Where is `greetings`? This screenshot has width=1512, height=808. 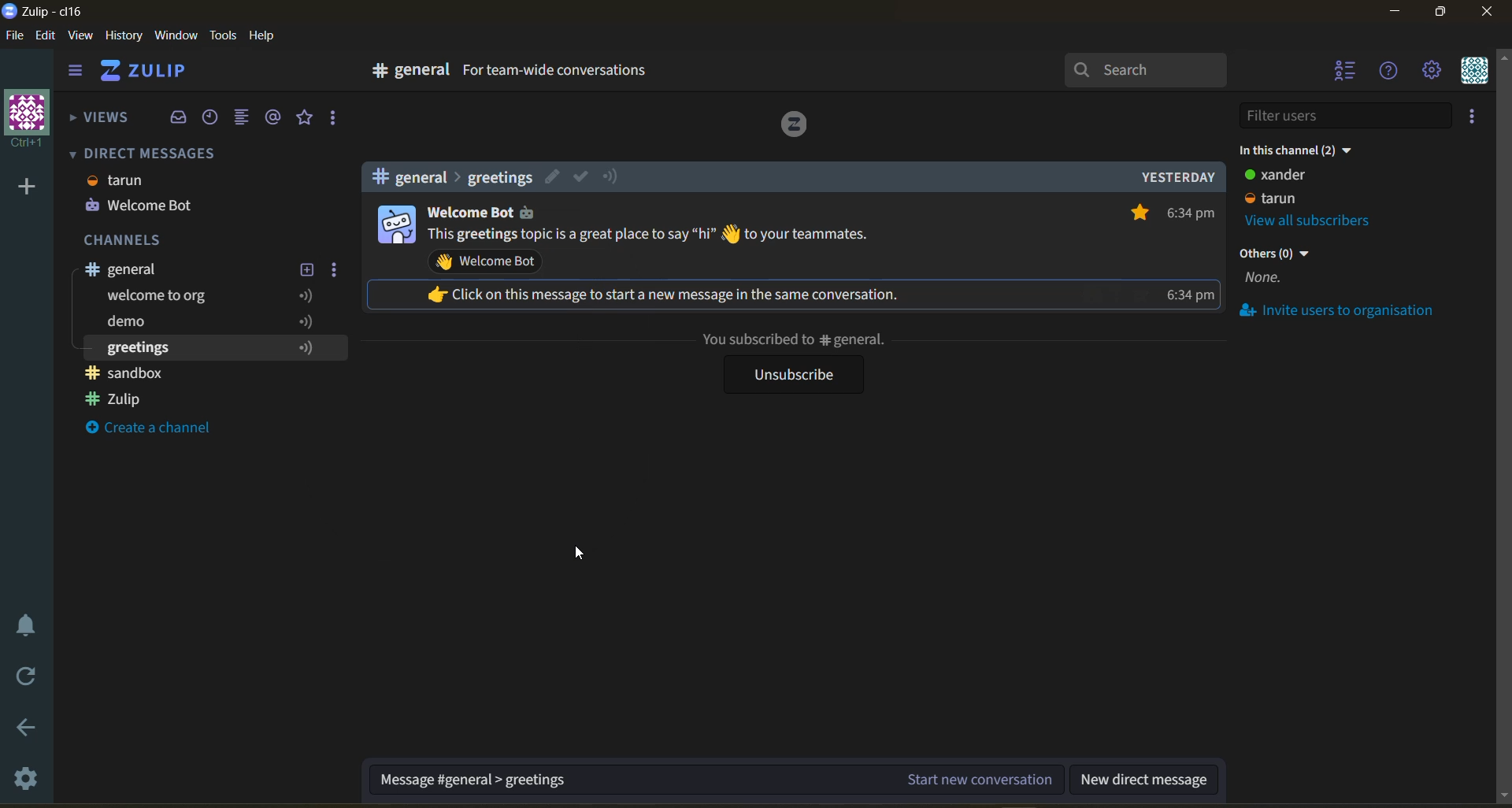 greetings is located at coordinates (145, 348).